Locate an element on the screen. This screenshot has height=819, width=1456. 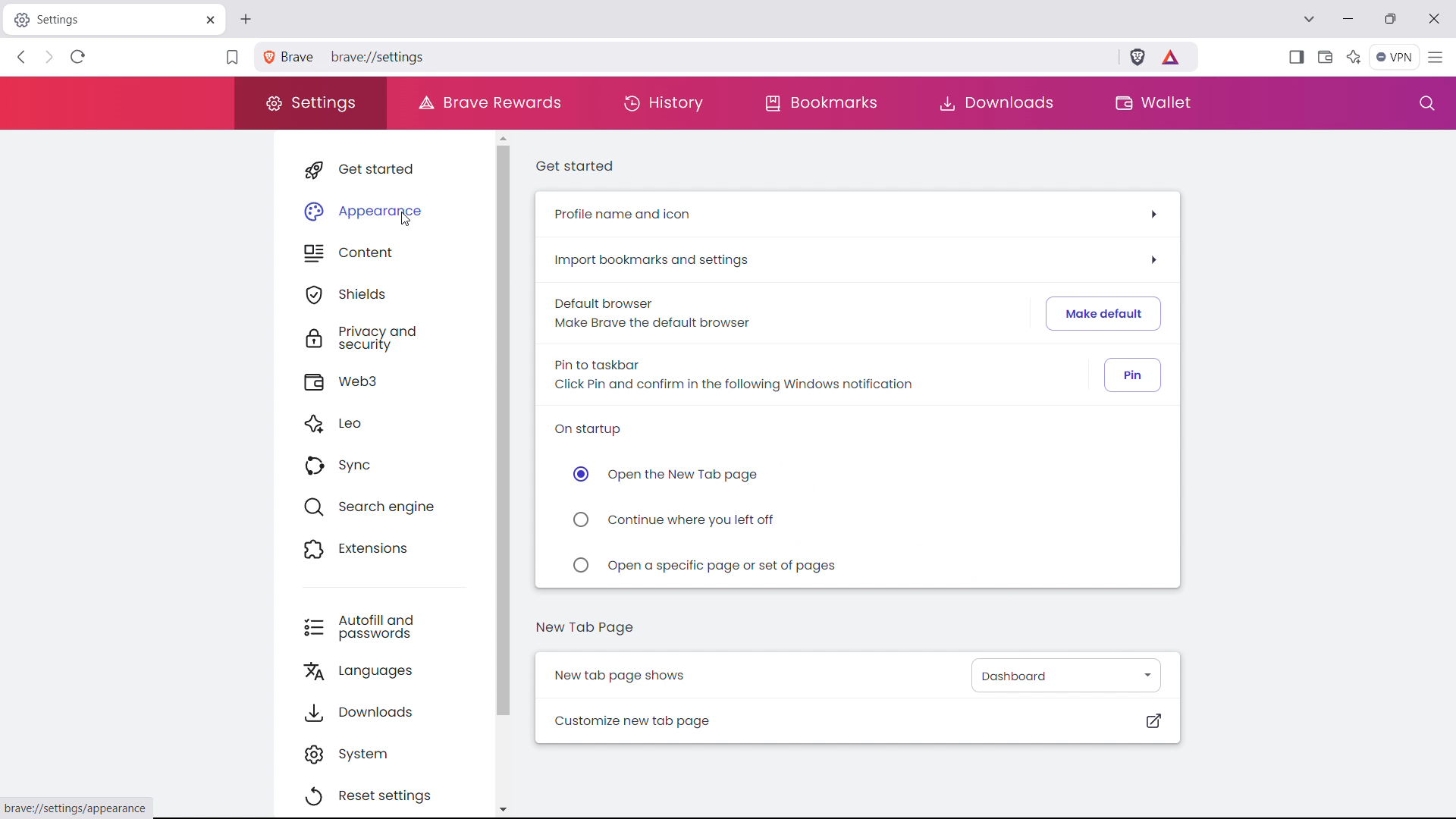
scroll down is located at coordinates (513, 805).